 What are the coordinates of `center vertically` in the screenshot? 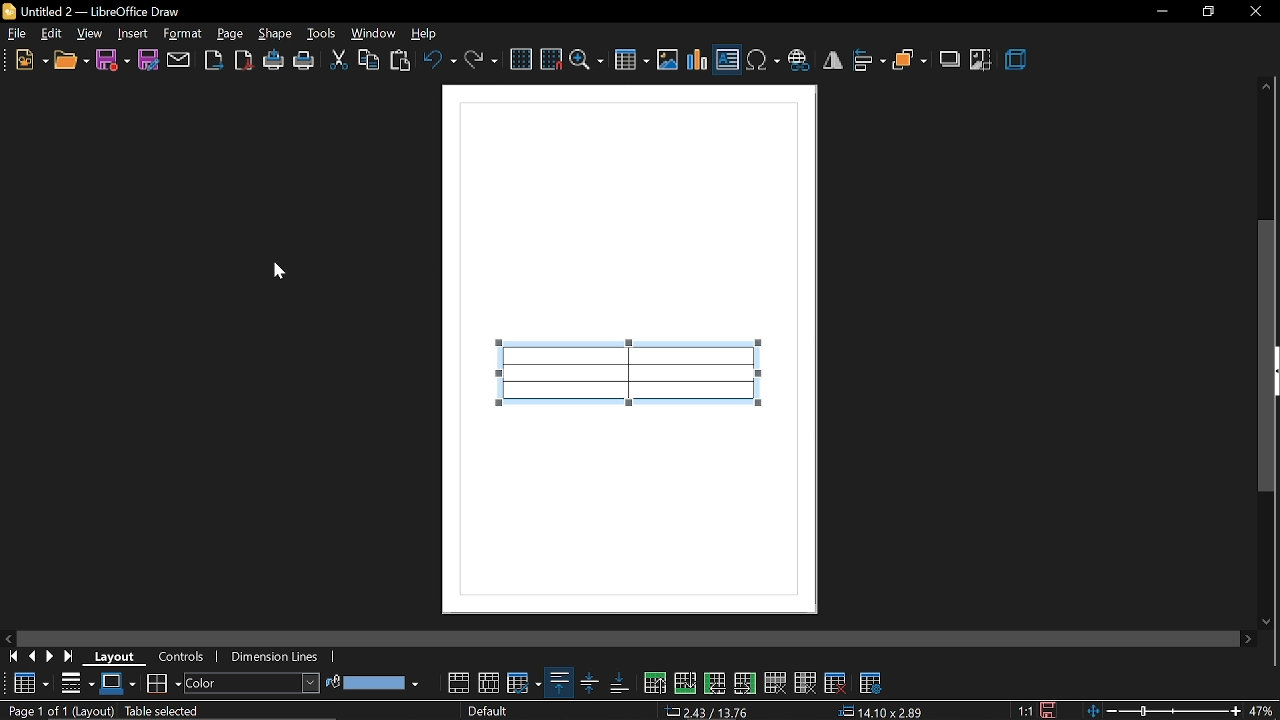 It's located at (587, 683).